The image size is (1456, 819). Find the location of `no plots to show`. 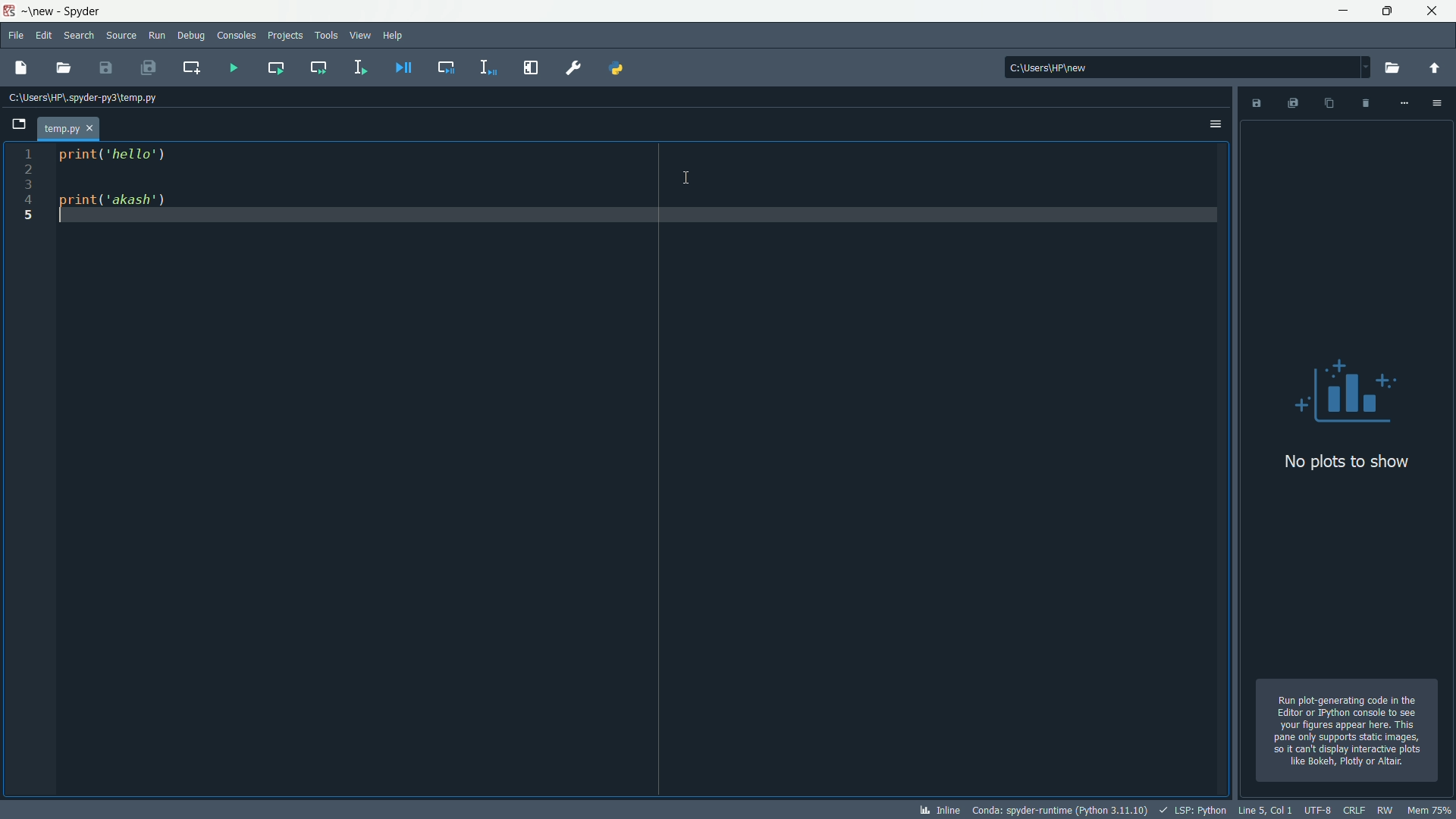

no plots to show is located at coordinates (1350, 416).